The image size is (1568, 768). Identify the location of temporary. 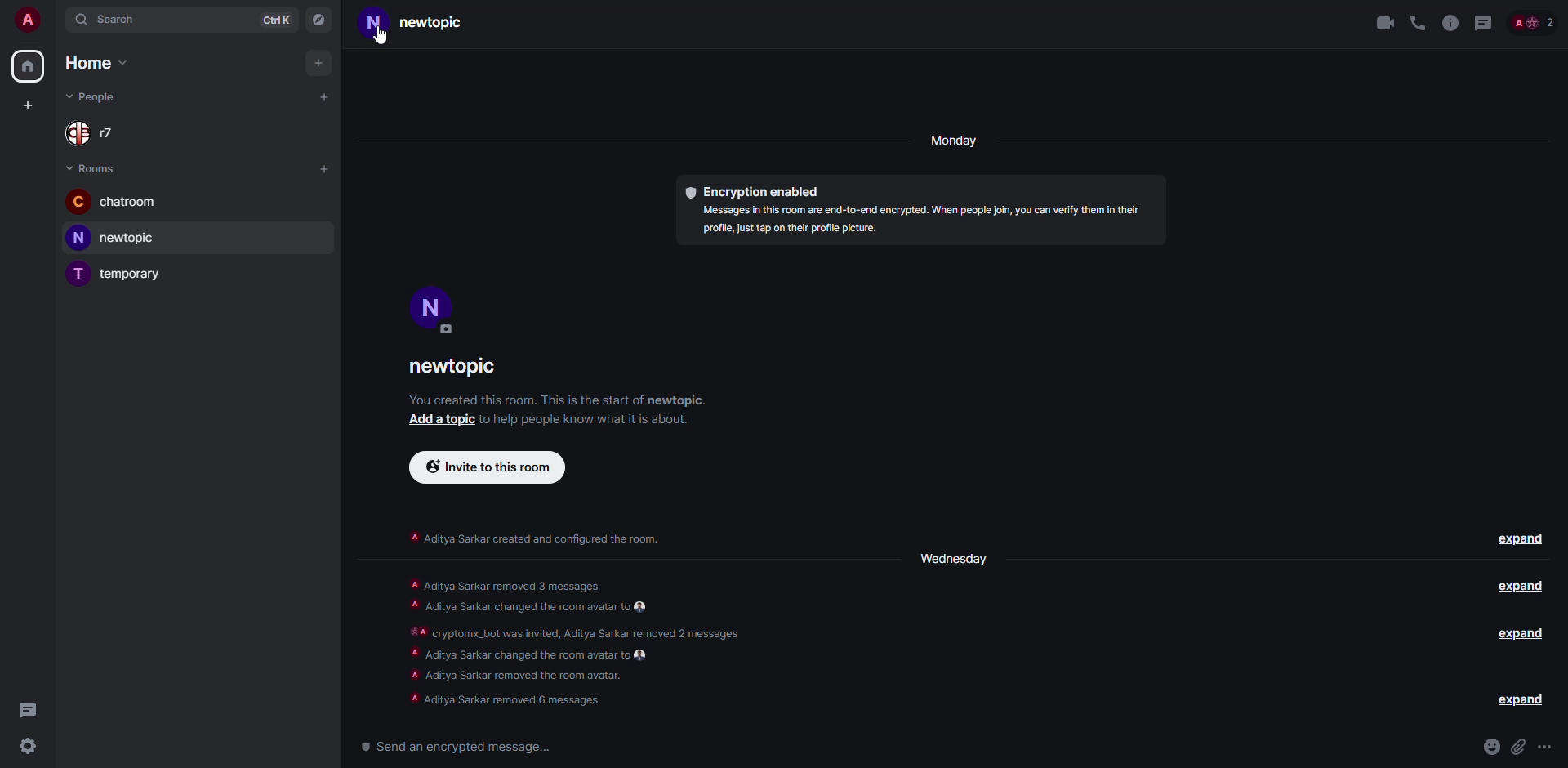
(120, 273).